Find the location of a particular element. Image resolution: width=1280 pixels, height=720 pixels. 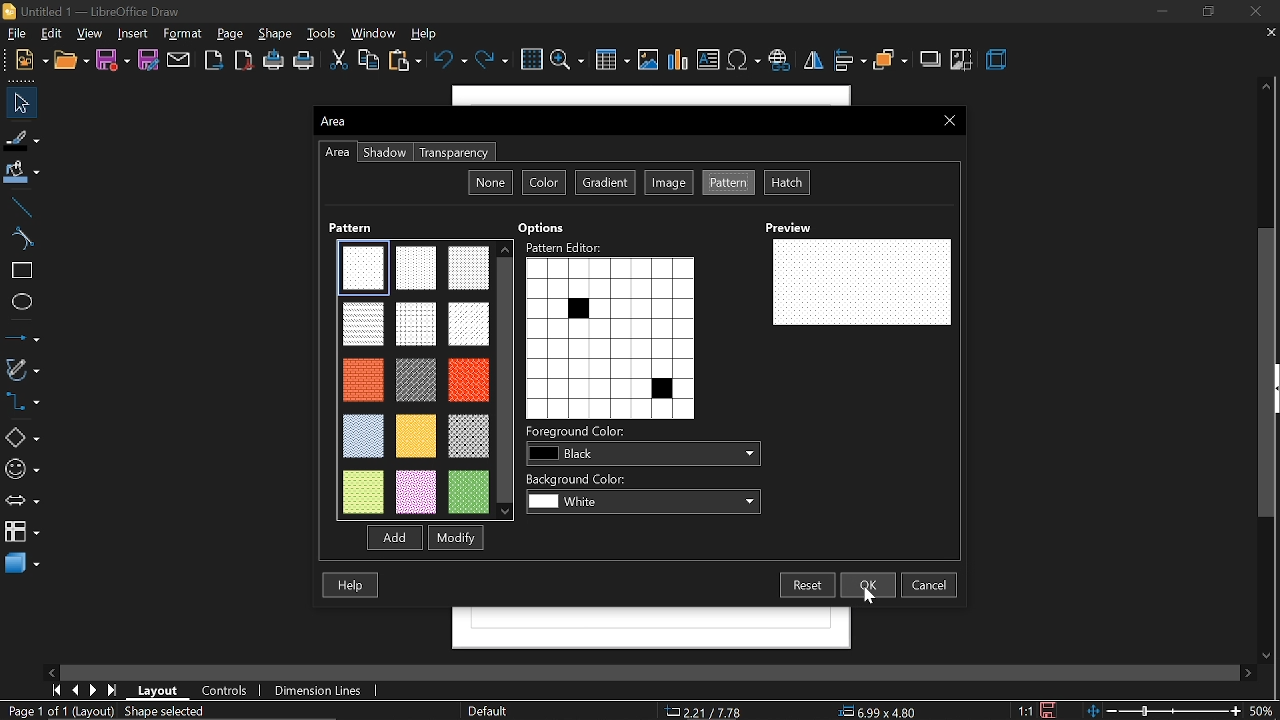

save as is located at coordinates (148, 60).